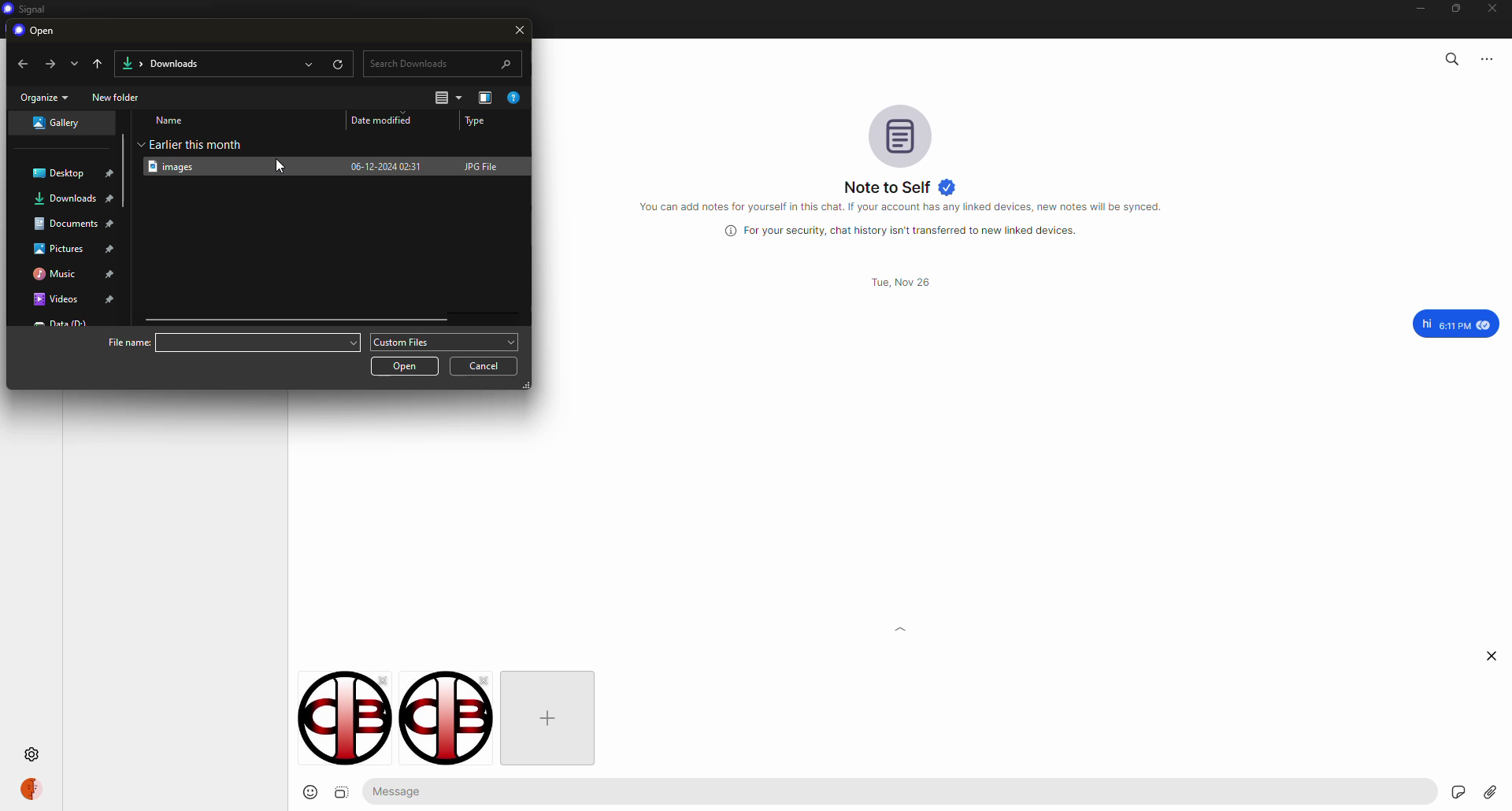  Describe the element at coordinates (350, 341) in the screenshot. I see `drop down` at that location.